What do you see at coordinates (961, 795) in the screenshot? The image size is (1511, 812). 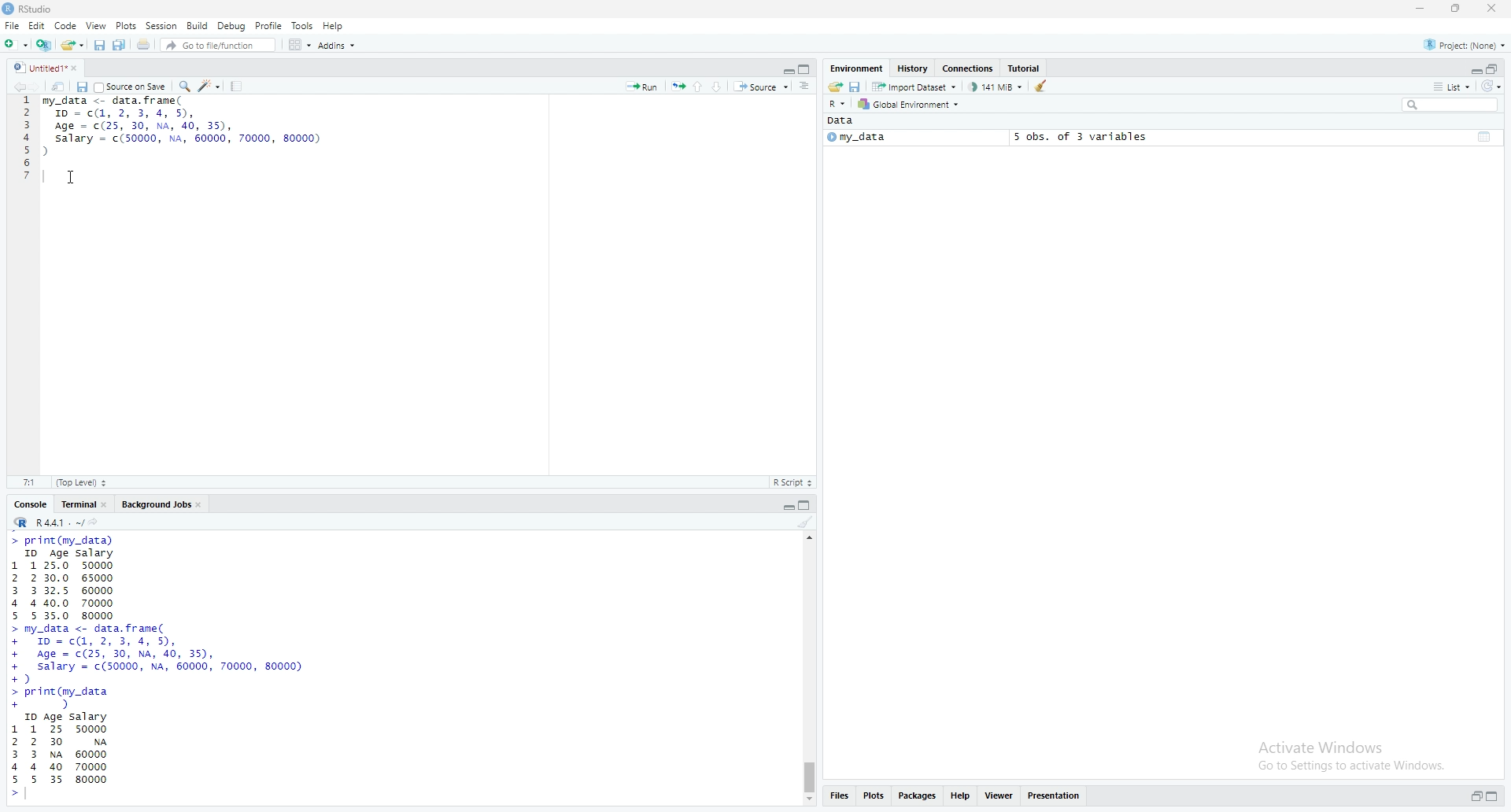 I see `help` at bounding box center [961, 795].